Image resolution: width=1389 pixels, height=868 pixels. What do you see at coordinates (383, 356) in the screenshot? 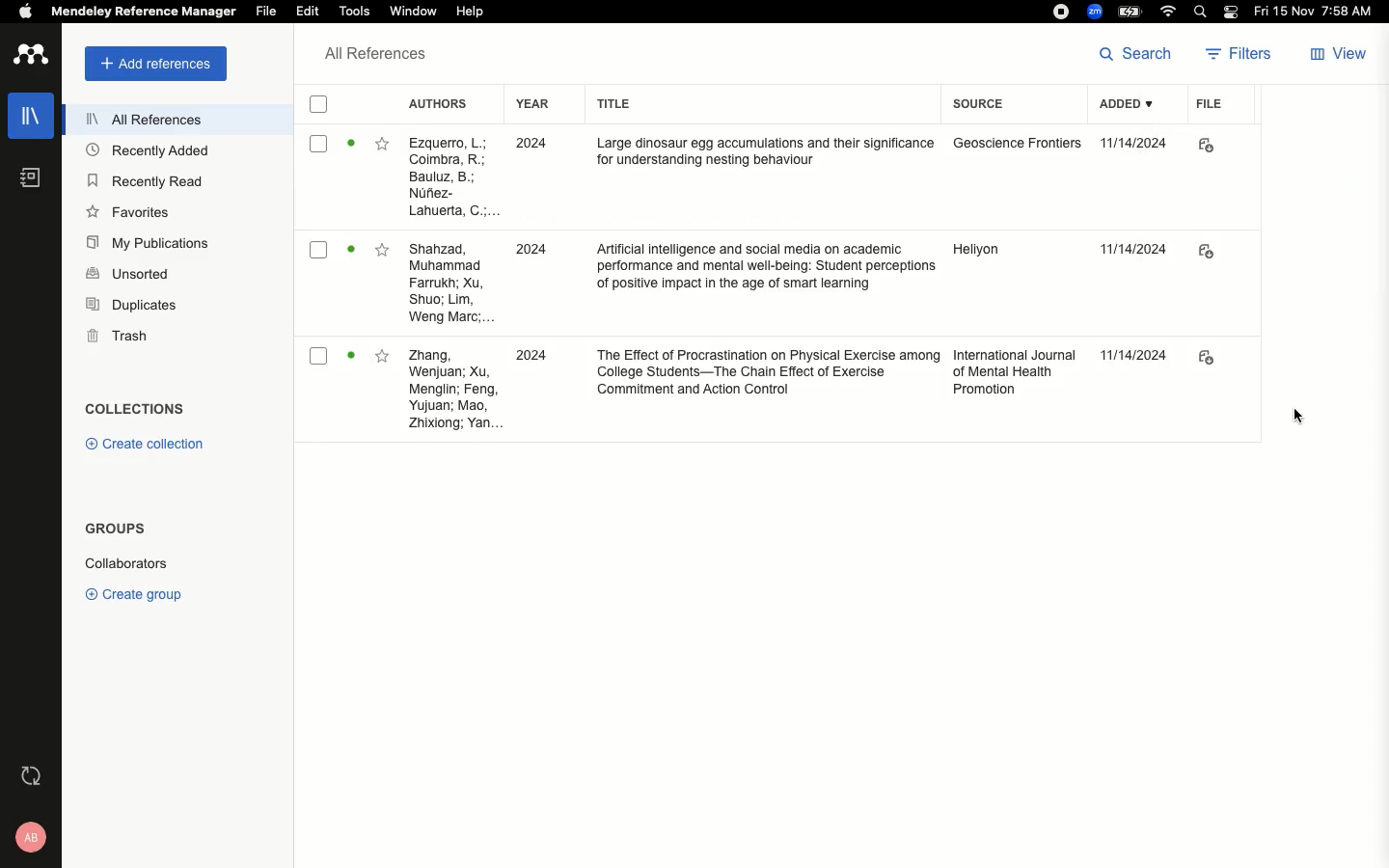
I see `Favorites` at bounding box center [383, 356].